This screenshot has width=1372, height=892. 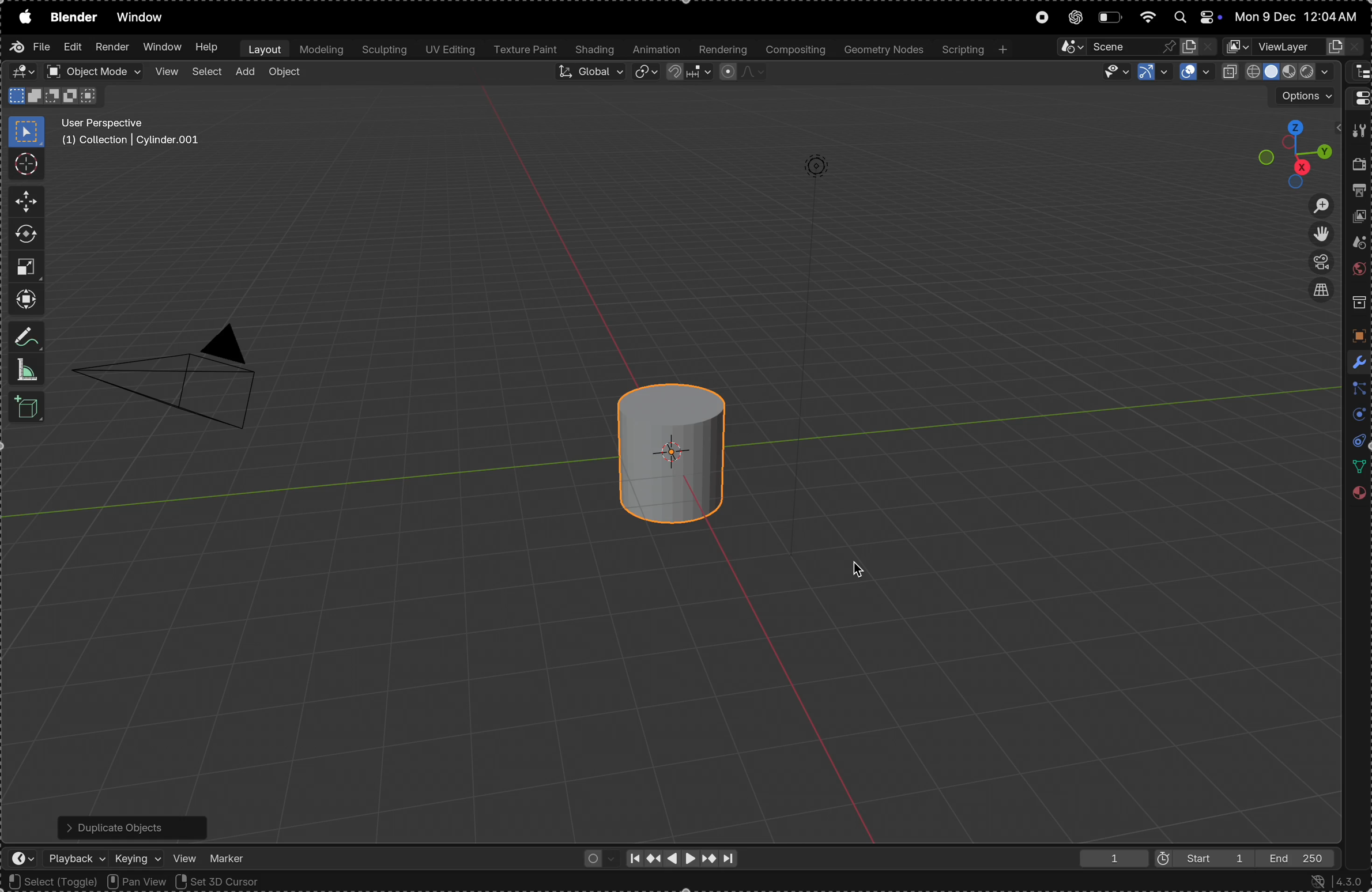 What do you see at coordinates (1358, 131) in the screenshot?
I see `tool` at bounding box center [1358, 131].